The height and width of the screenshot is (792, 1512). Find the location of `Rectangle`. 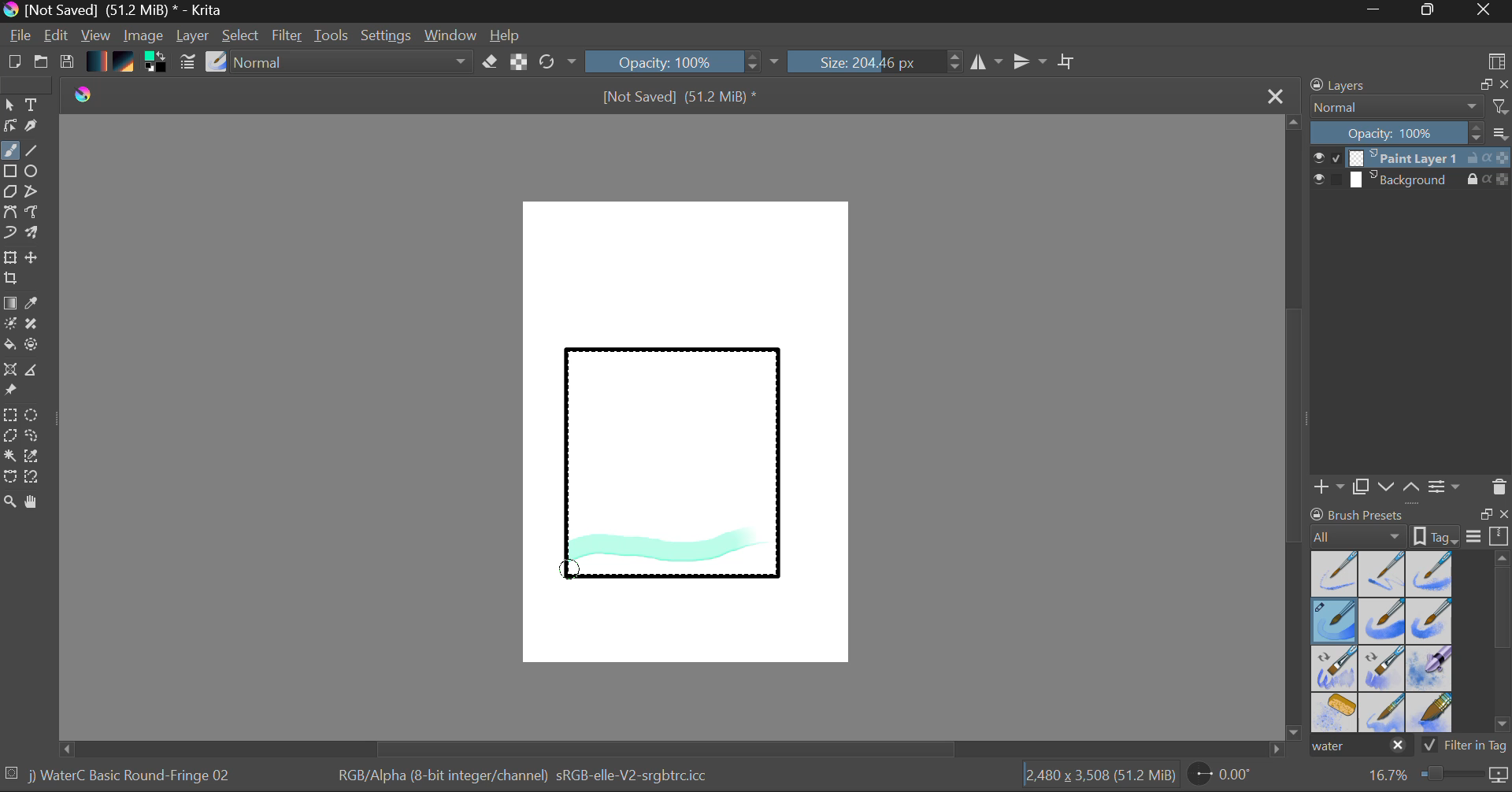

Rectangle is located at coordinates (11, 172).